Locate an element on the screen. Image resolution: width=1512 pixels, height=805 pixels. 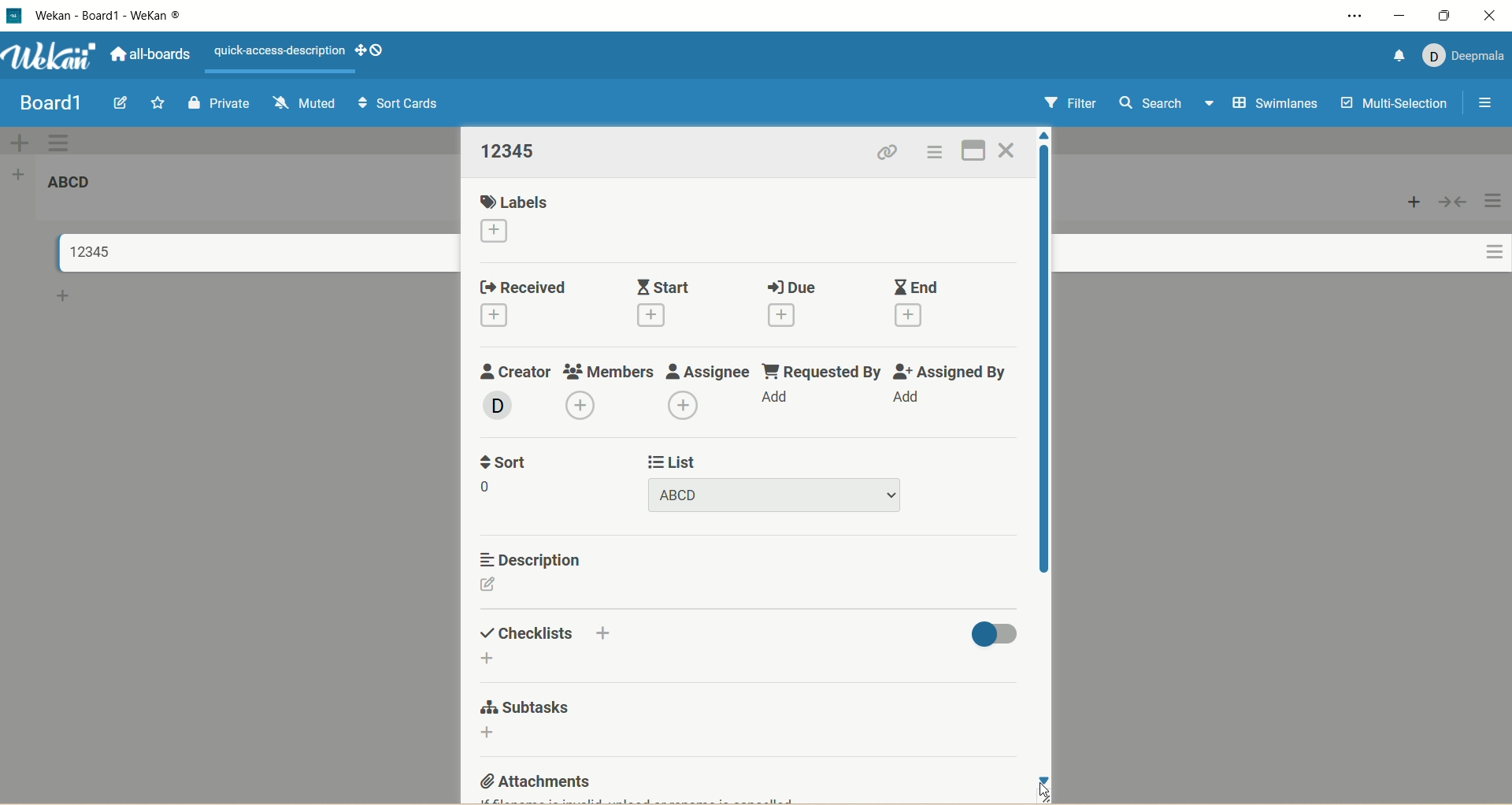
assigned by is located at coordinates (956, 373).